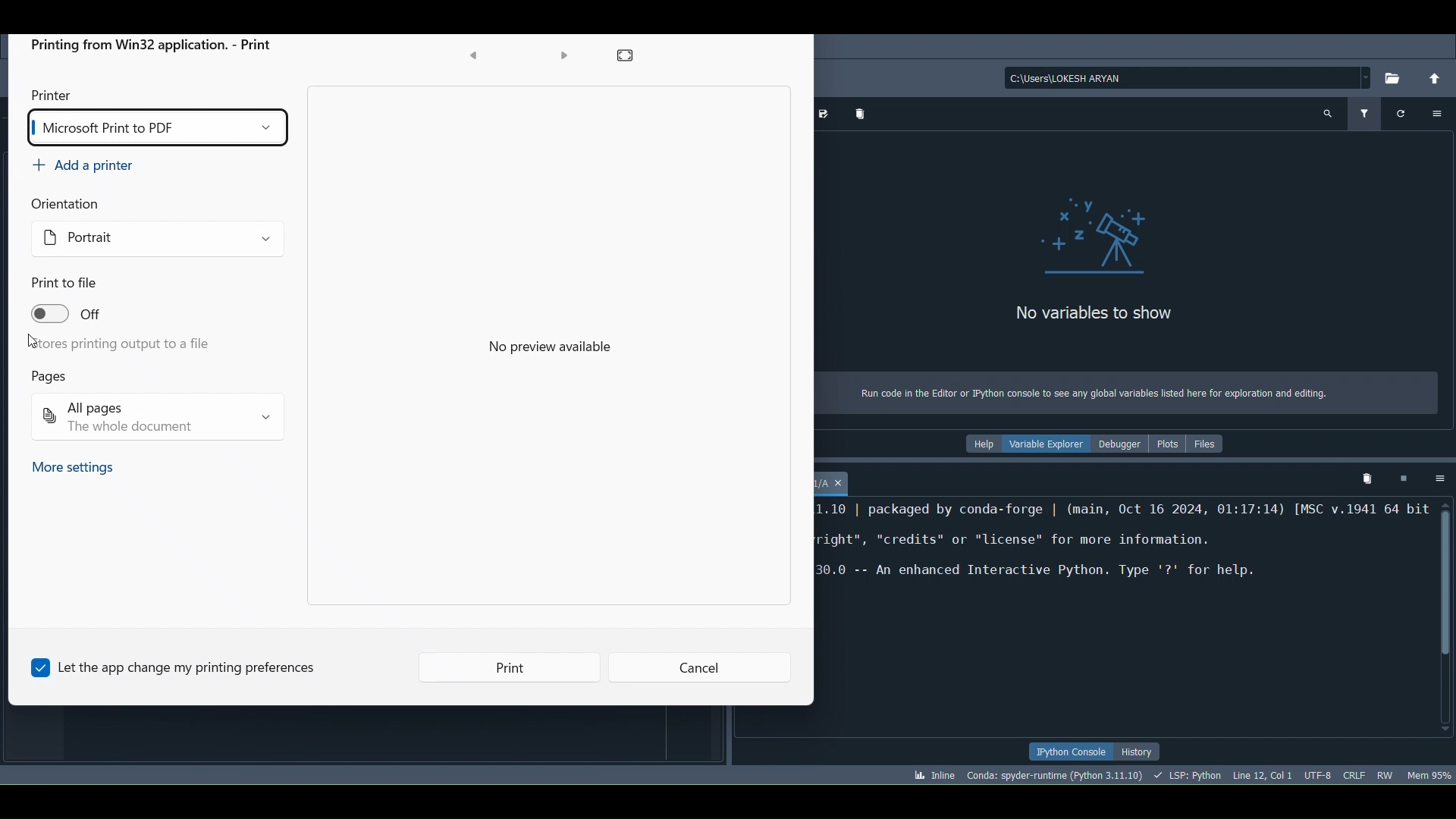 Image resolution: width=1456 pixels, height=819 pixels. What do you see at coordinates (1352, 776) in the screenshot?
I see `File EOL status` at bounding box center [1352, 776].